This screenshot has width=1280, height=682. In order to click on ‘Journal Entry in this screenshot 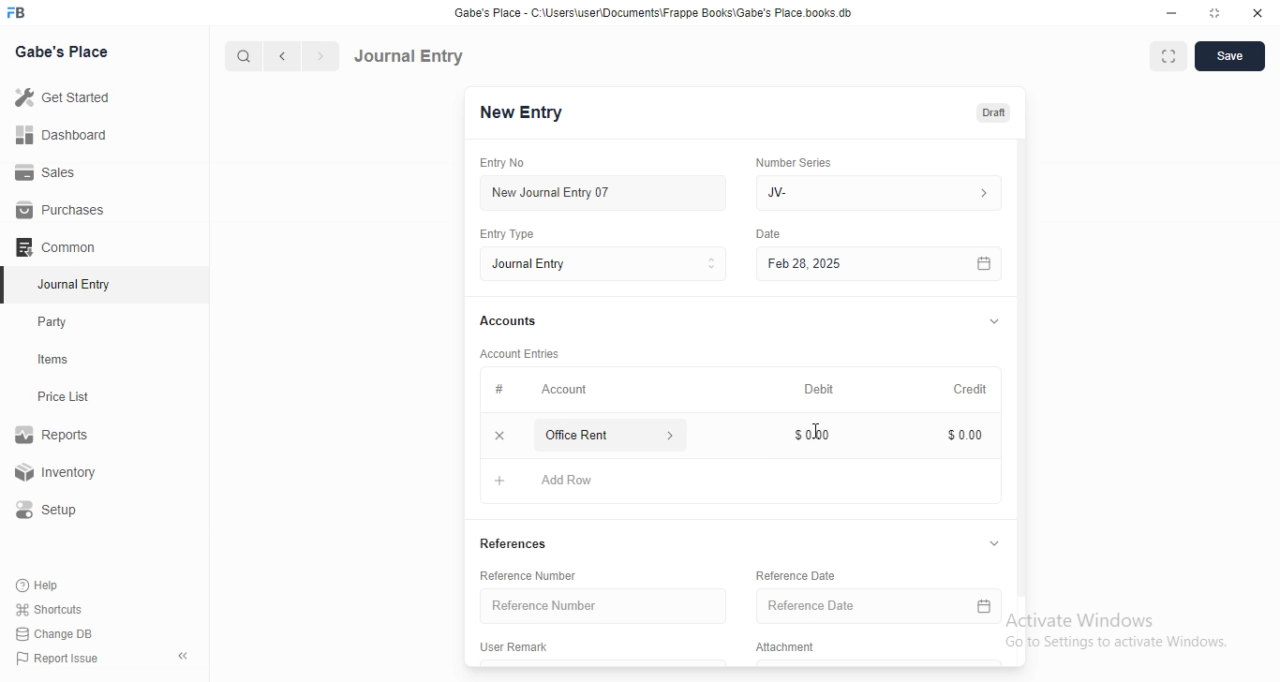, I will do `click(77, 284)`.